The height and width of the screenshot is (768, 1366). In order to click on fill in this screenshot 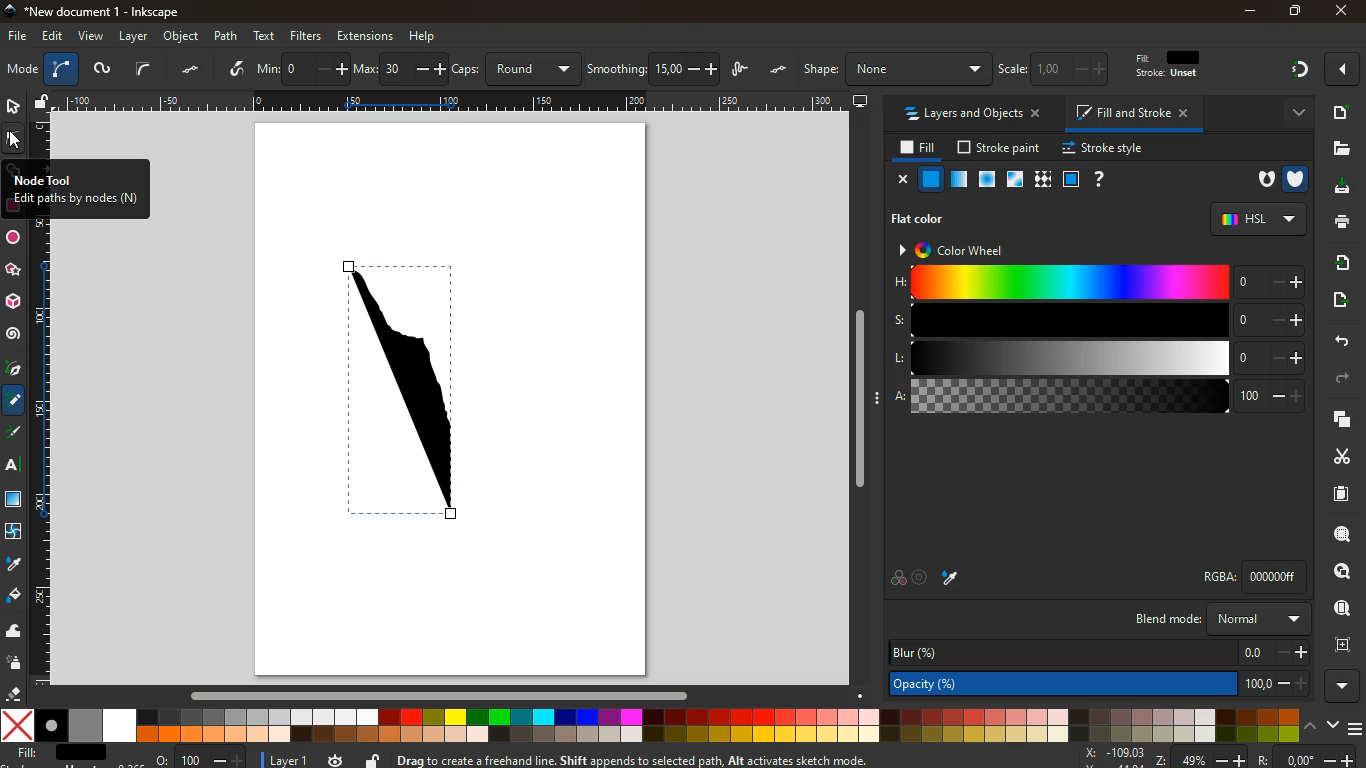, I will do `click(914, 148)`.